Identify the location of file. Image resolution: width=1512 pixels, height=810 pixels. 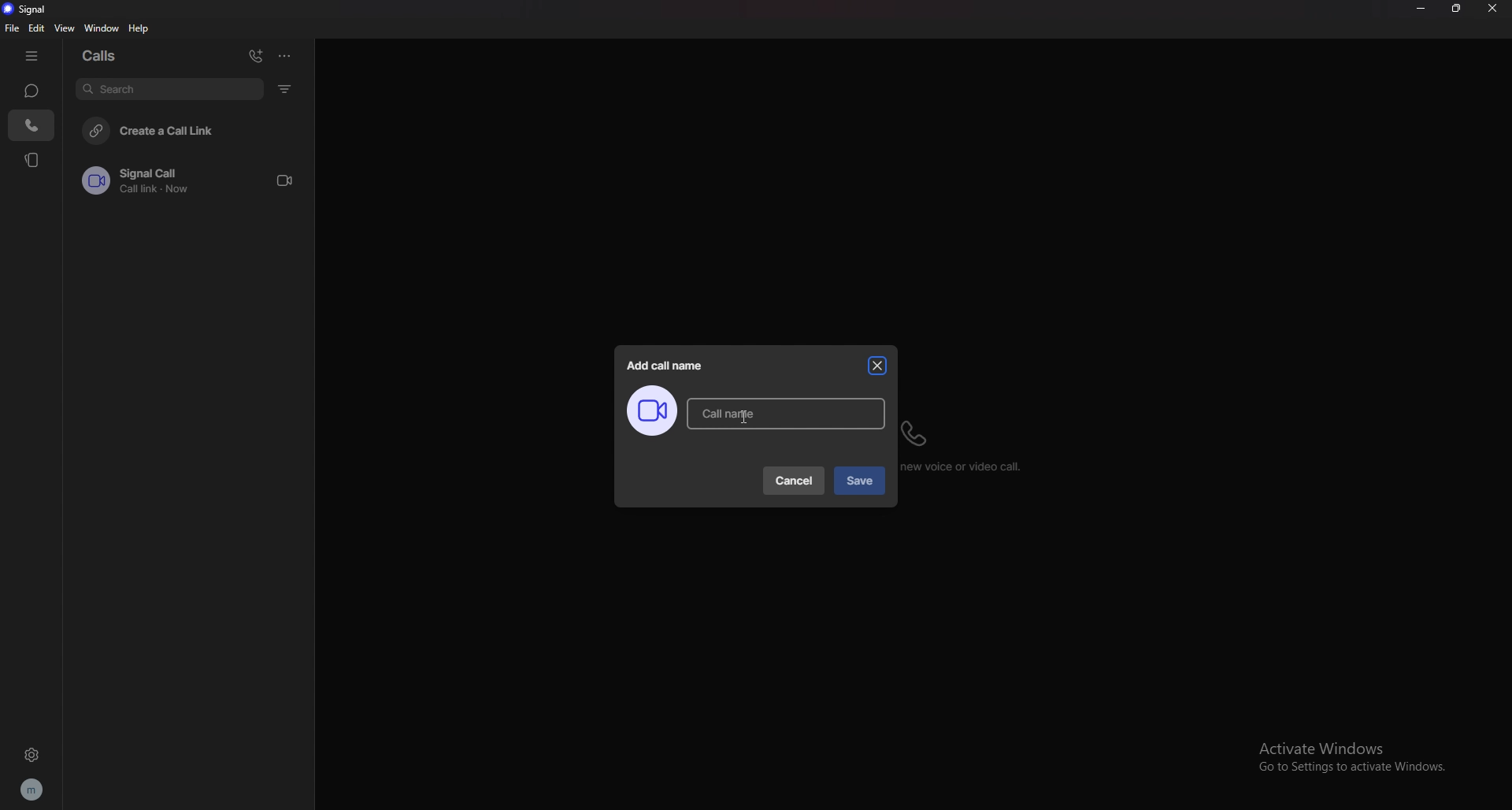
(13, 28).